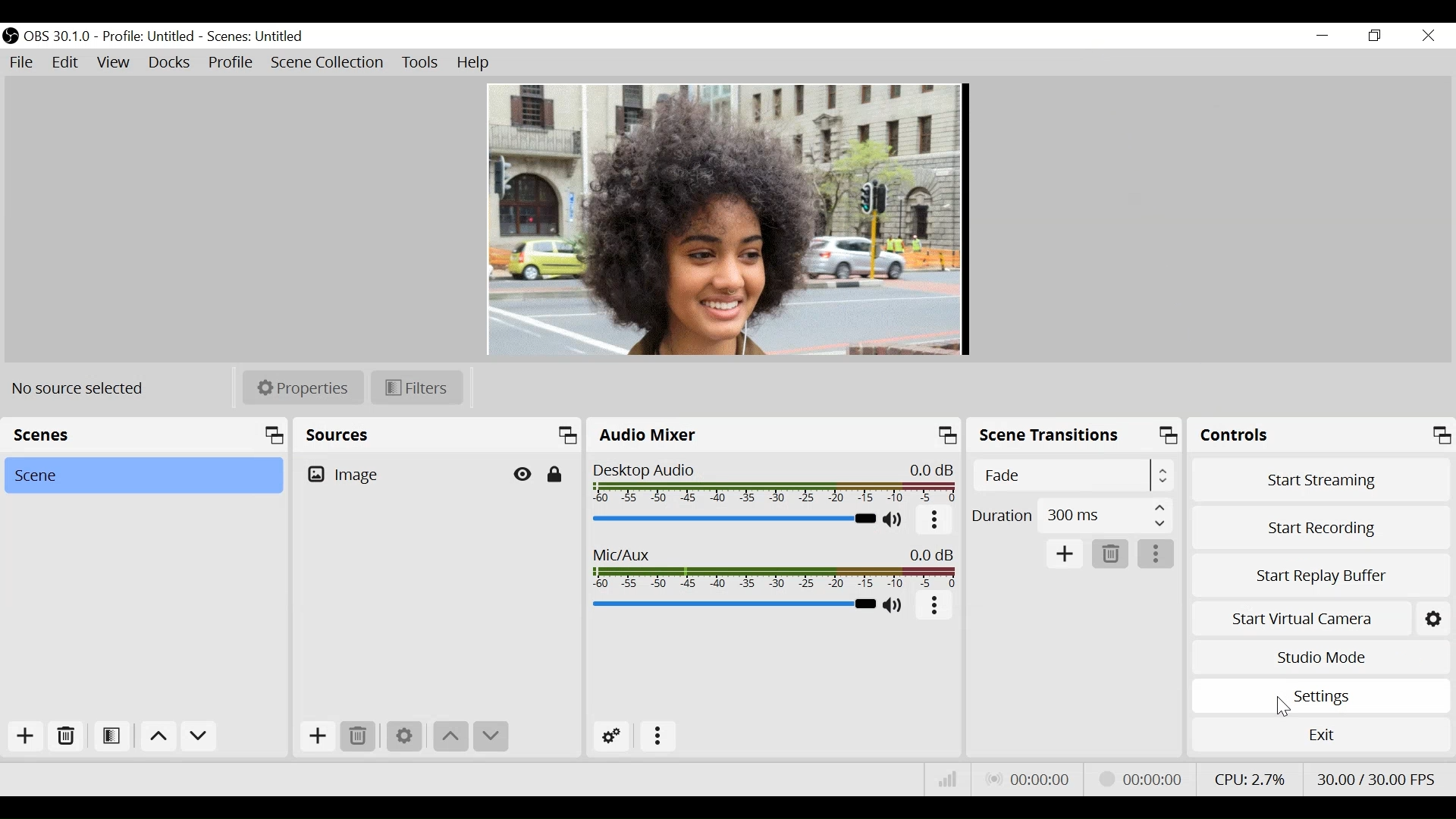  What do you see at coordinates (168, 63) in the screenshot?
I see `Docks` at bounding box center [168, 63].